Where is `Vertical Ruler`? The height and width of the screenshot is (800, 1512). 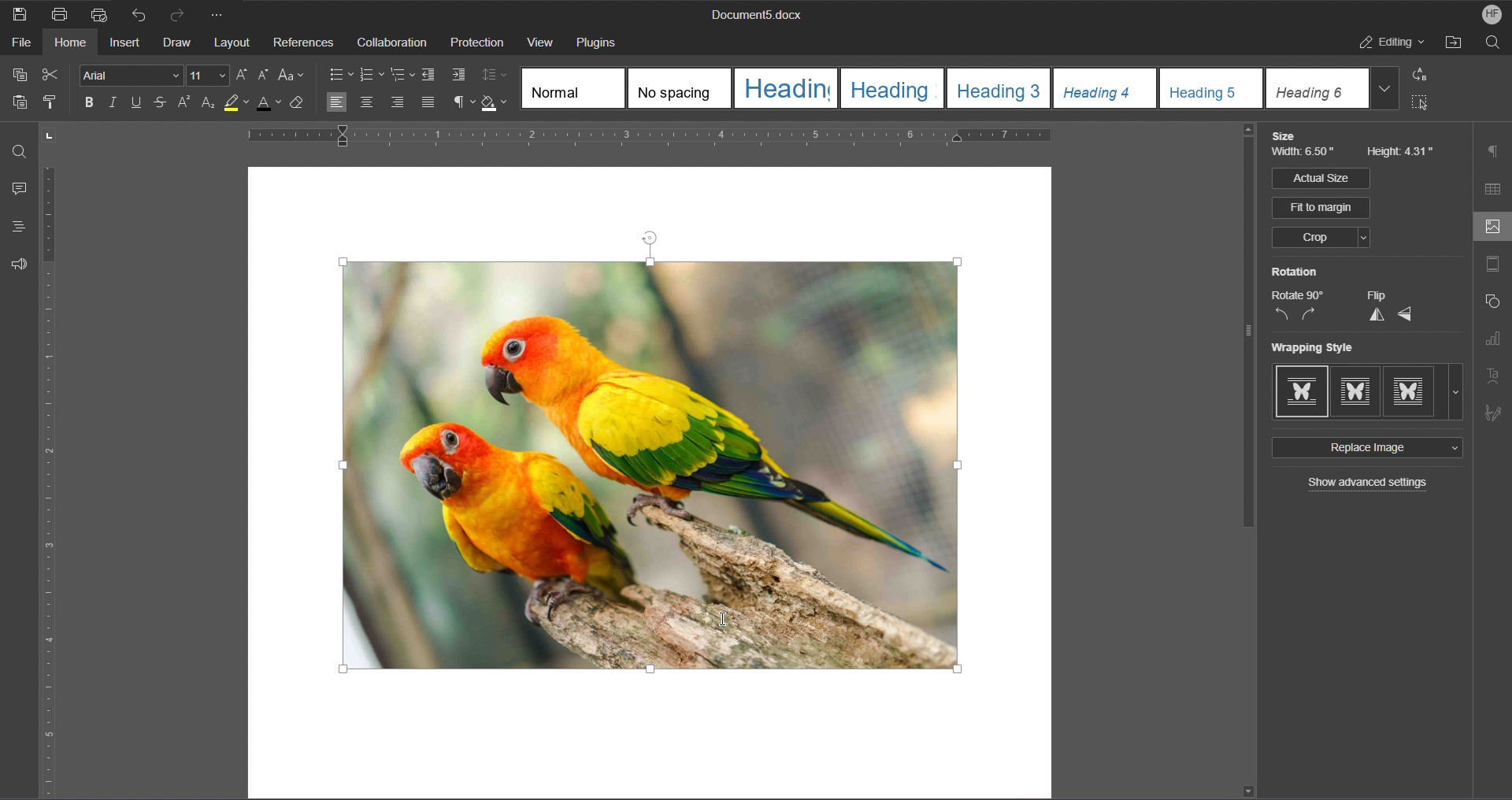 Vertical Ruler is located at coordinates (51, 483).